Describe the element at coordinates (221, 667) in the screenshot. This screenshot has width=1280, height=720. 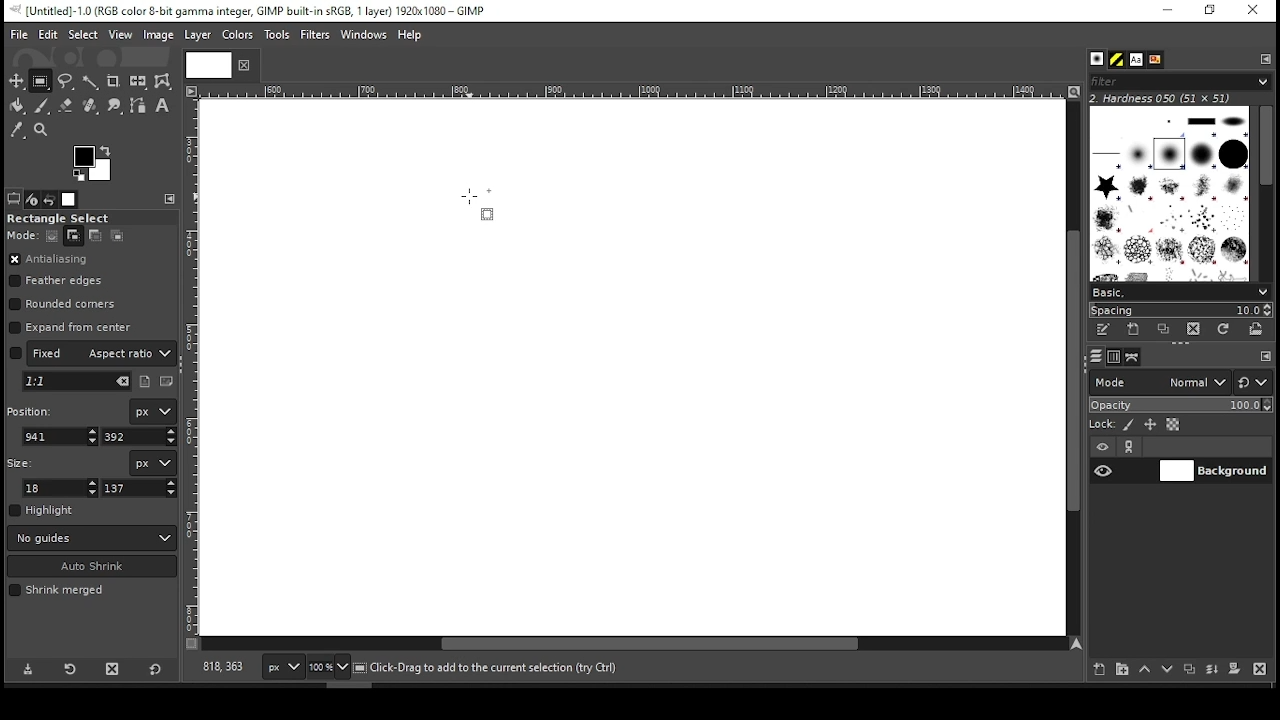
I see `818,363` at that location.